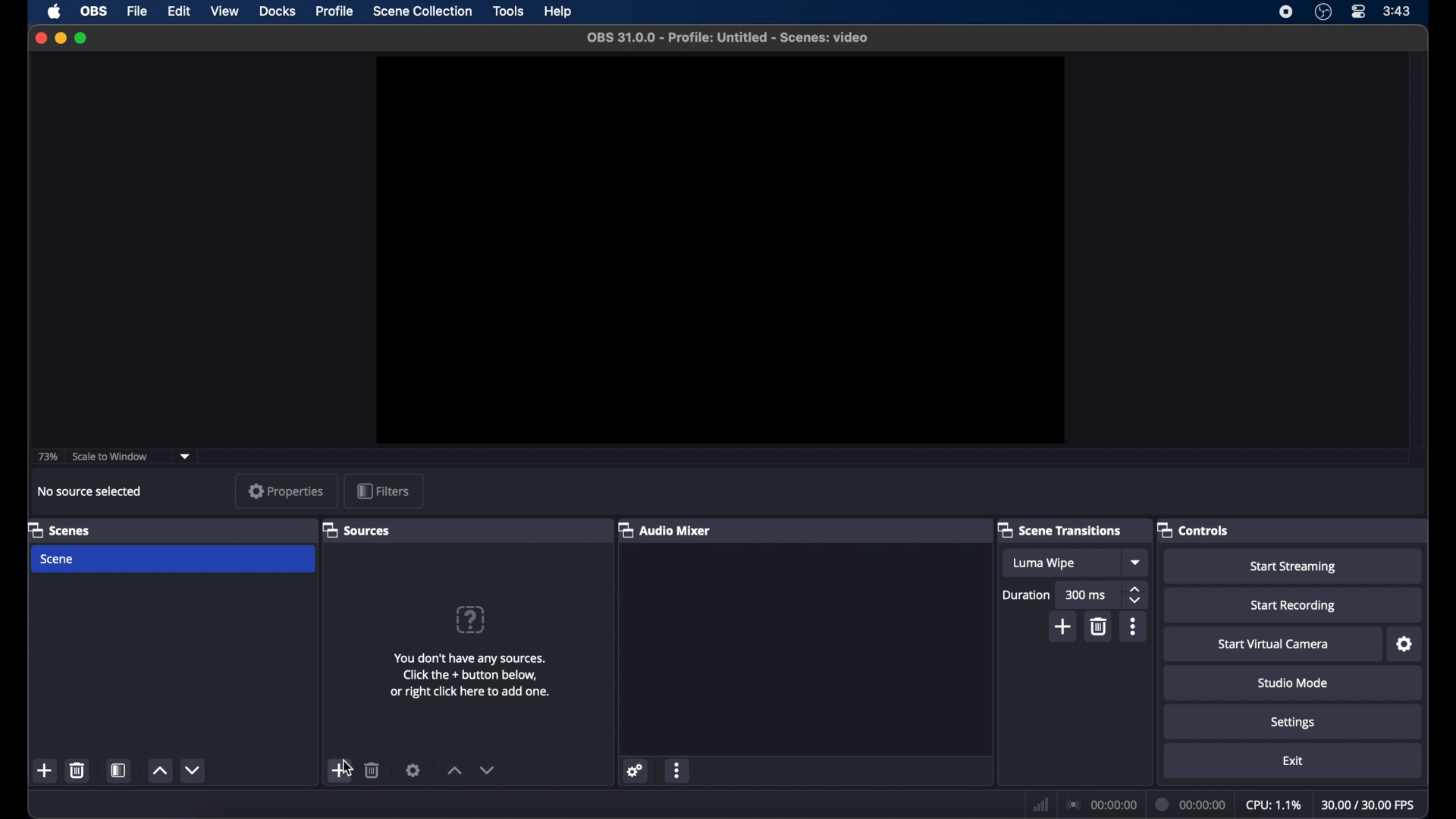 Image resolution: width=1456 pixels, height=819 pixels. Describe the element at coordinates (55, 11) in the screenshot. I see `apple icon` at that location.